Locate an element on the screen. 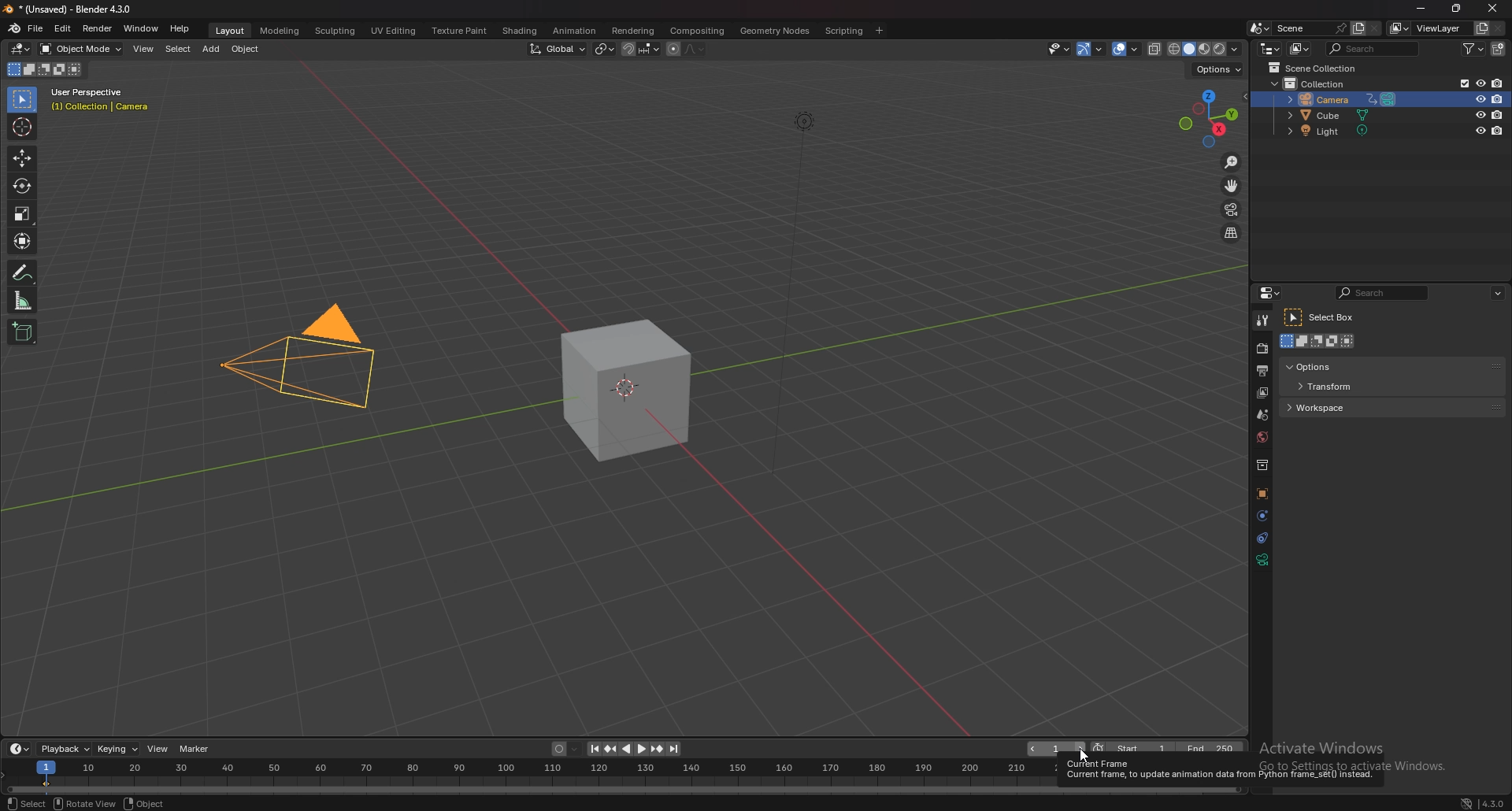 This screenshot has height=811, width=1512. selectibility and visibility is located at coordinates (1058, 49).